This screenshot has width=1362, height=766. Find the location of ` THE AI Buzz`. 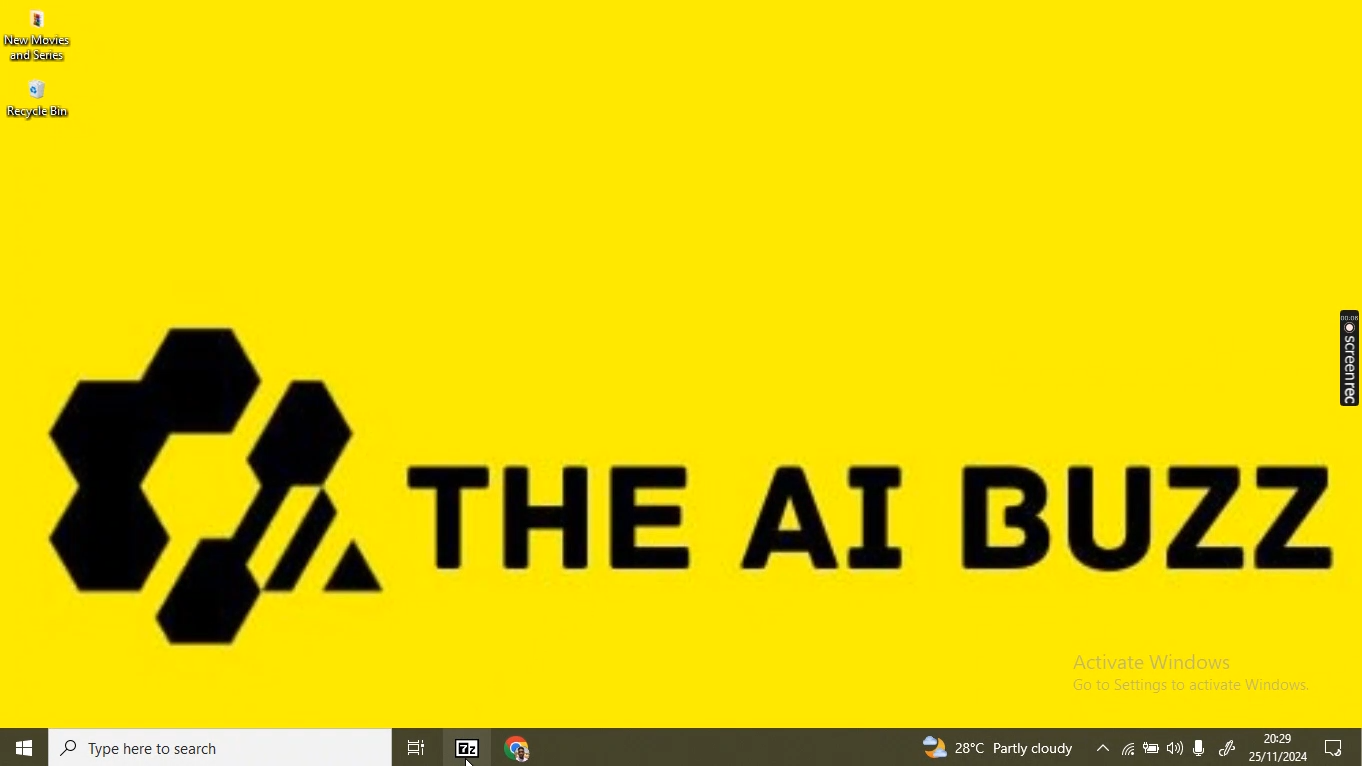

 THE AI Buzz is located at coordinates (866, 531).